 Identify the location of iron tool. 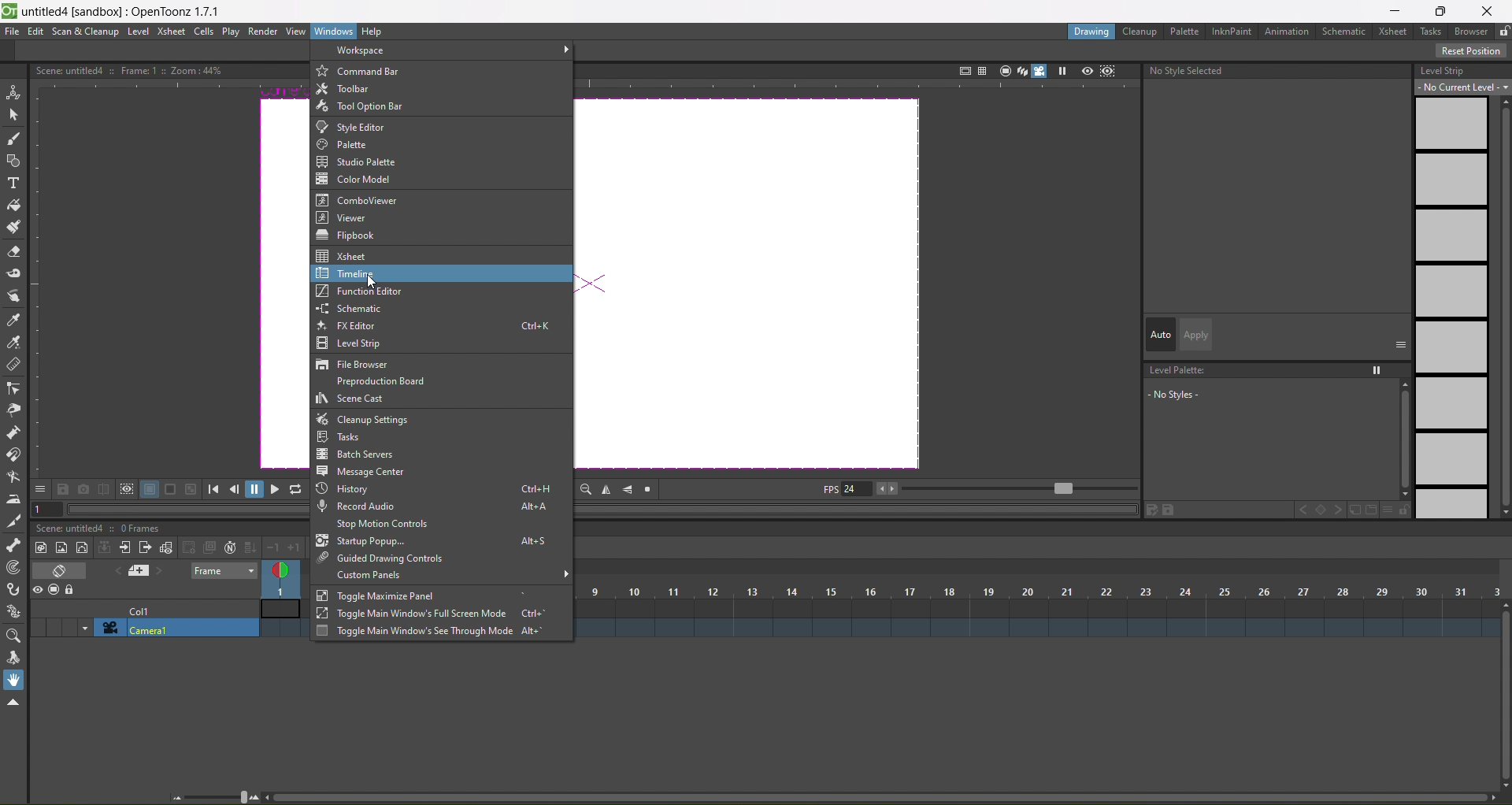
(13, 499).